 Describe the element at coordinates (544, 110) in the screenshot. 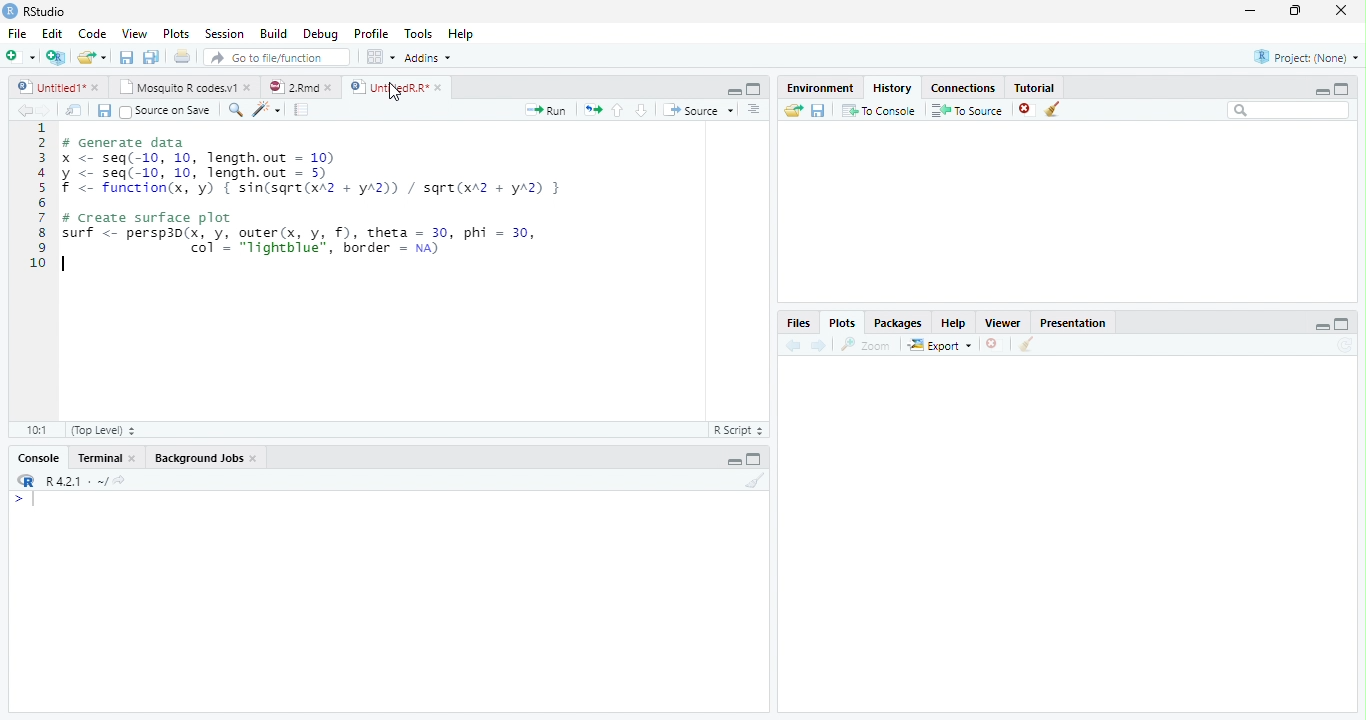

I see `Run` at that location.